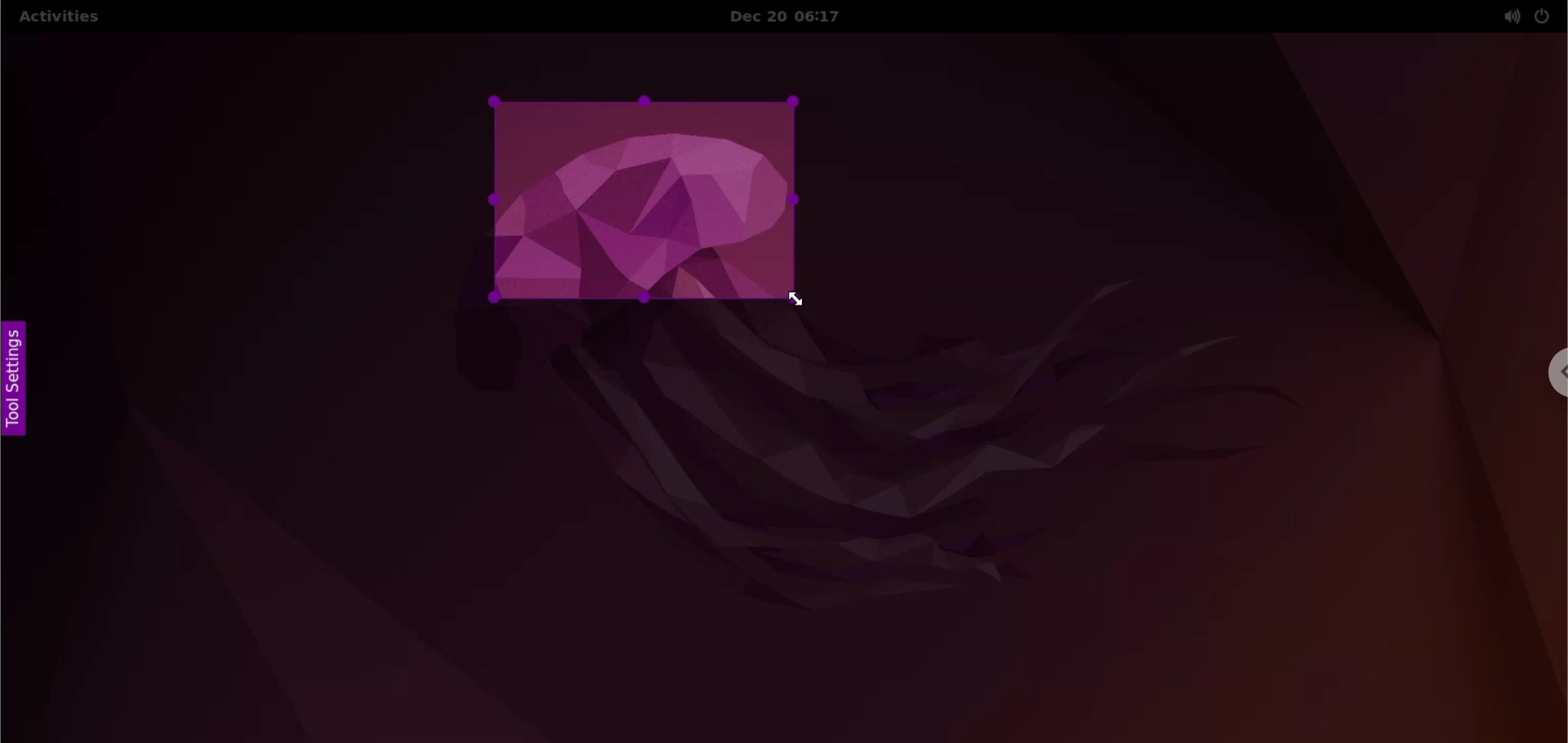  Describe the element at coordinates (1508, 16) in the screenshot. I see `sound options` at that location.